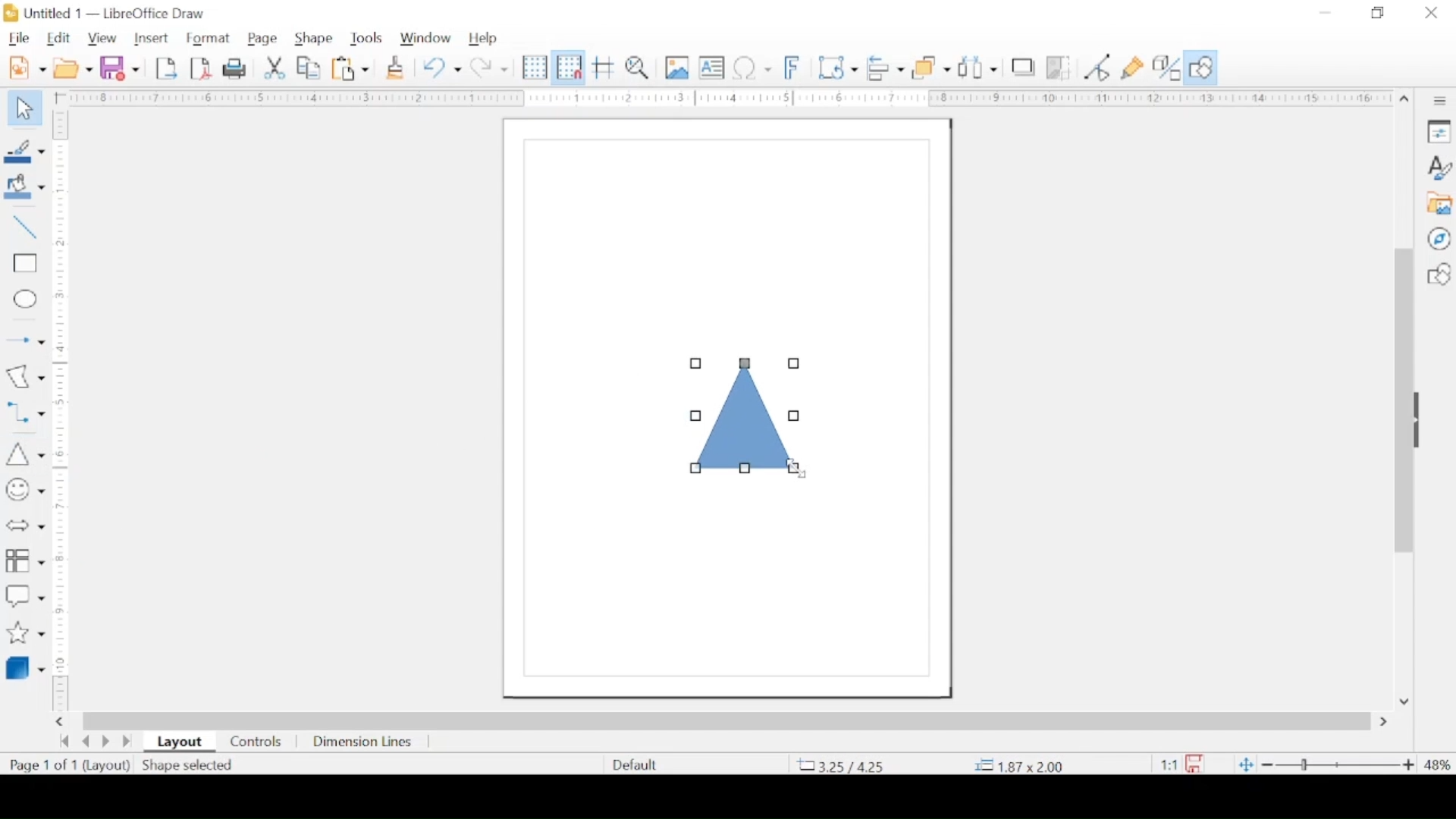  I want to click on line color, so click(24, 151).